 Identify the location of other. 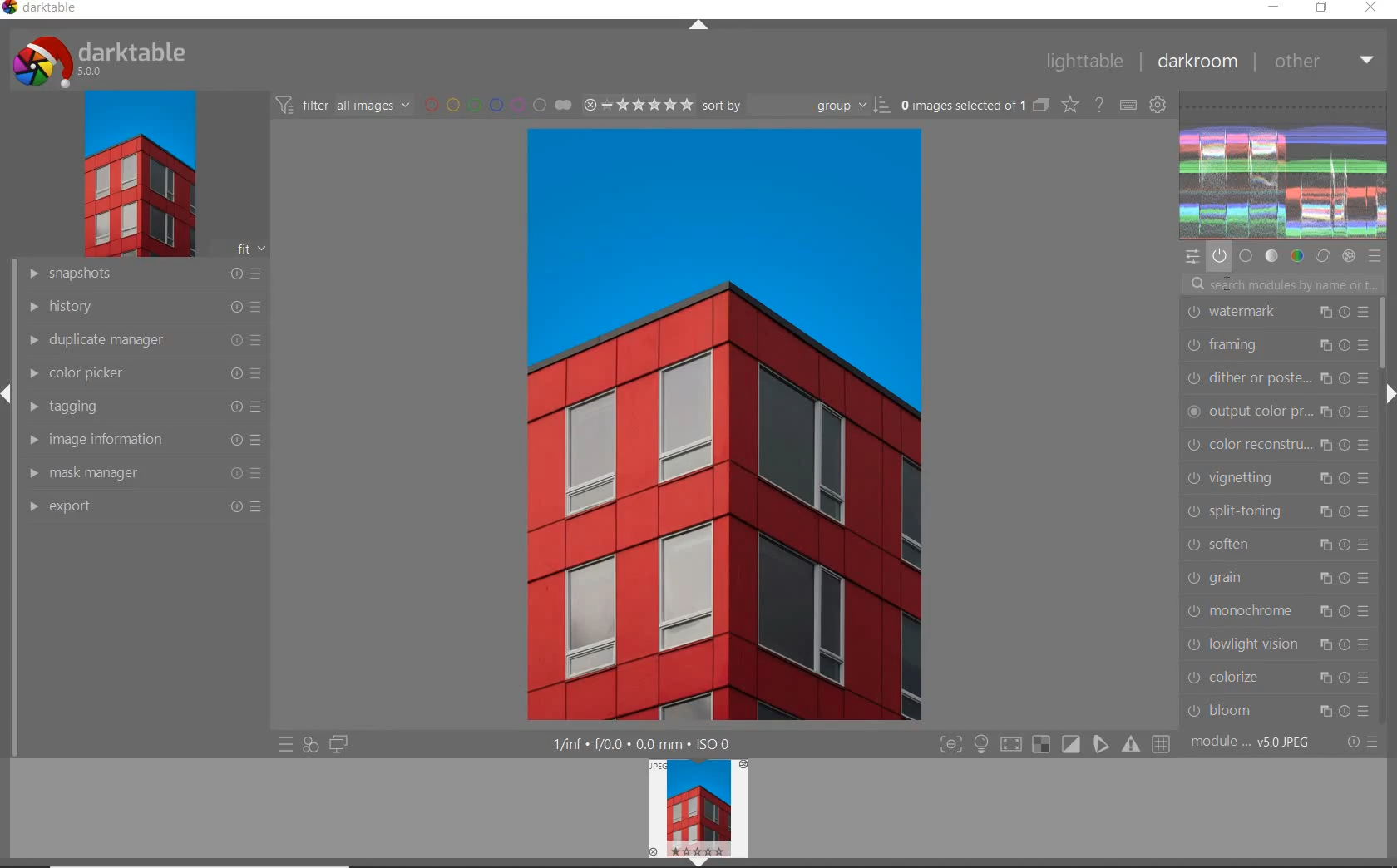
(1322, 62).